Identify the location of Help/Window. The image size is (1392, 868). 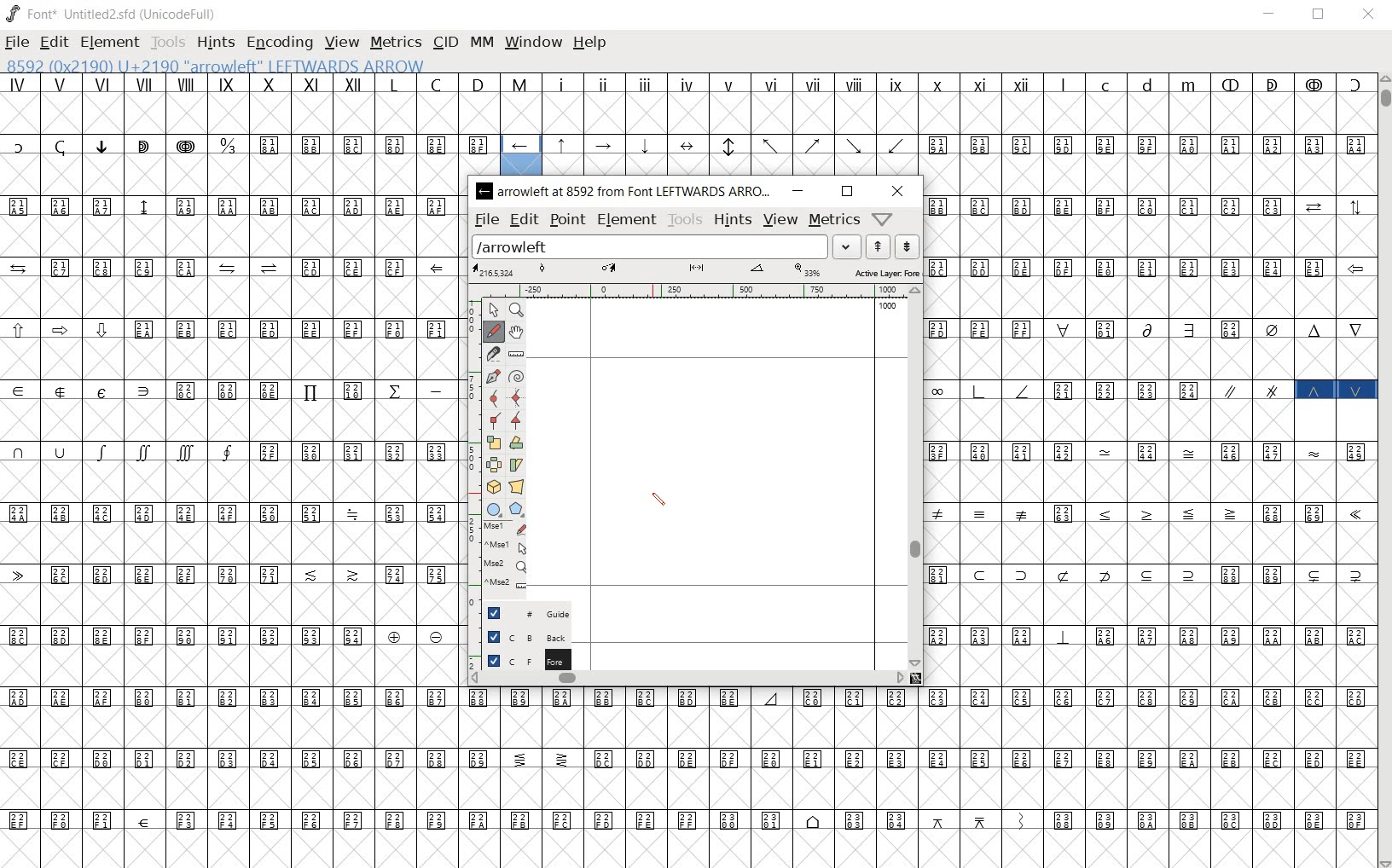
(885, 219).